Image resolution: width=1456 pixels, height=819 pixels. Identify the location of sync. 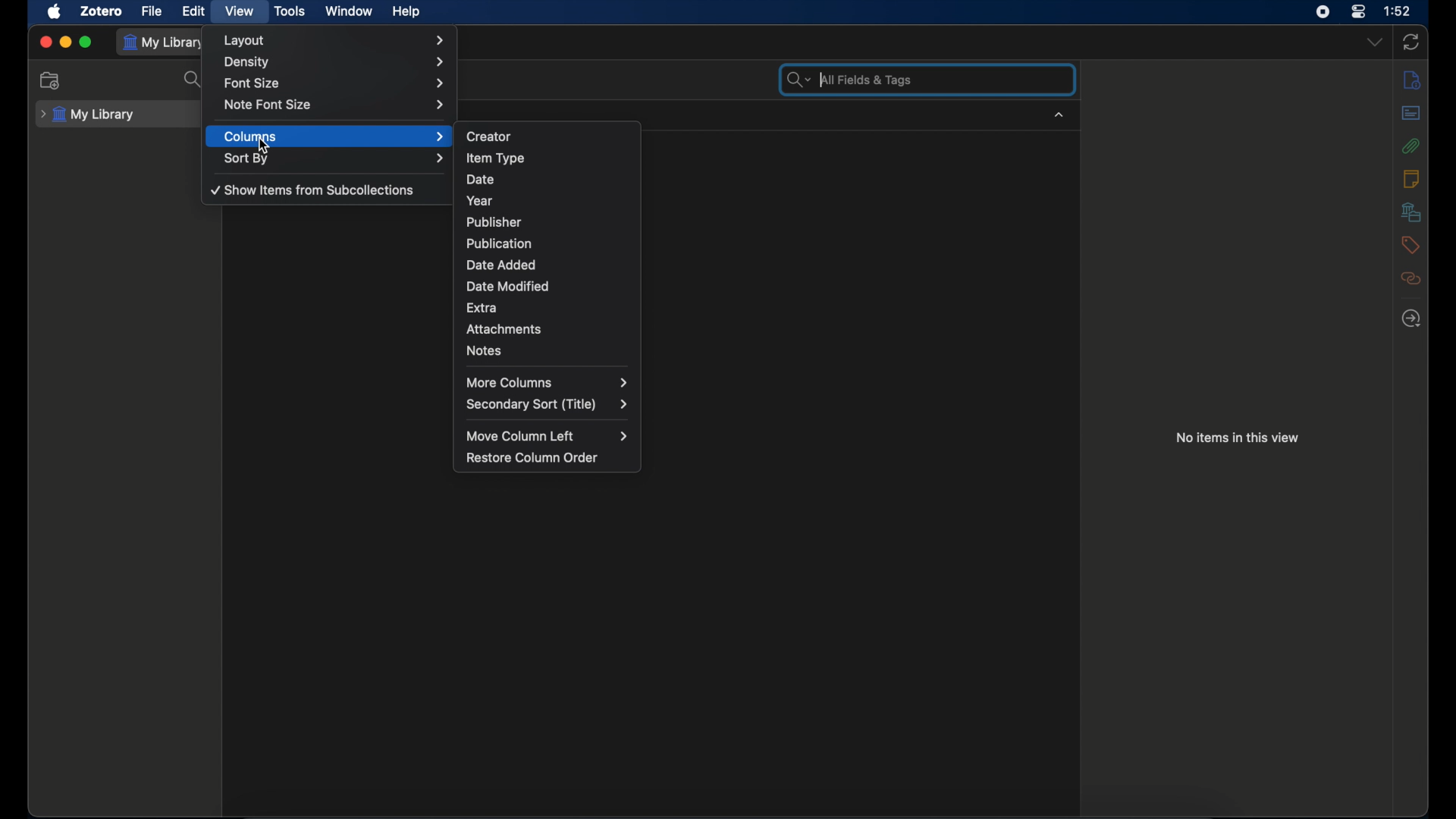
(1412, 42).